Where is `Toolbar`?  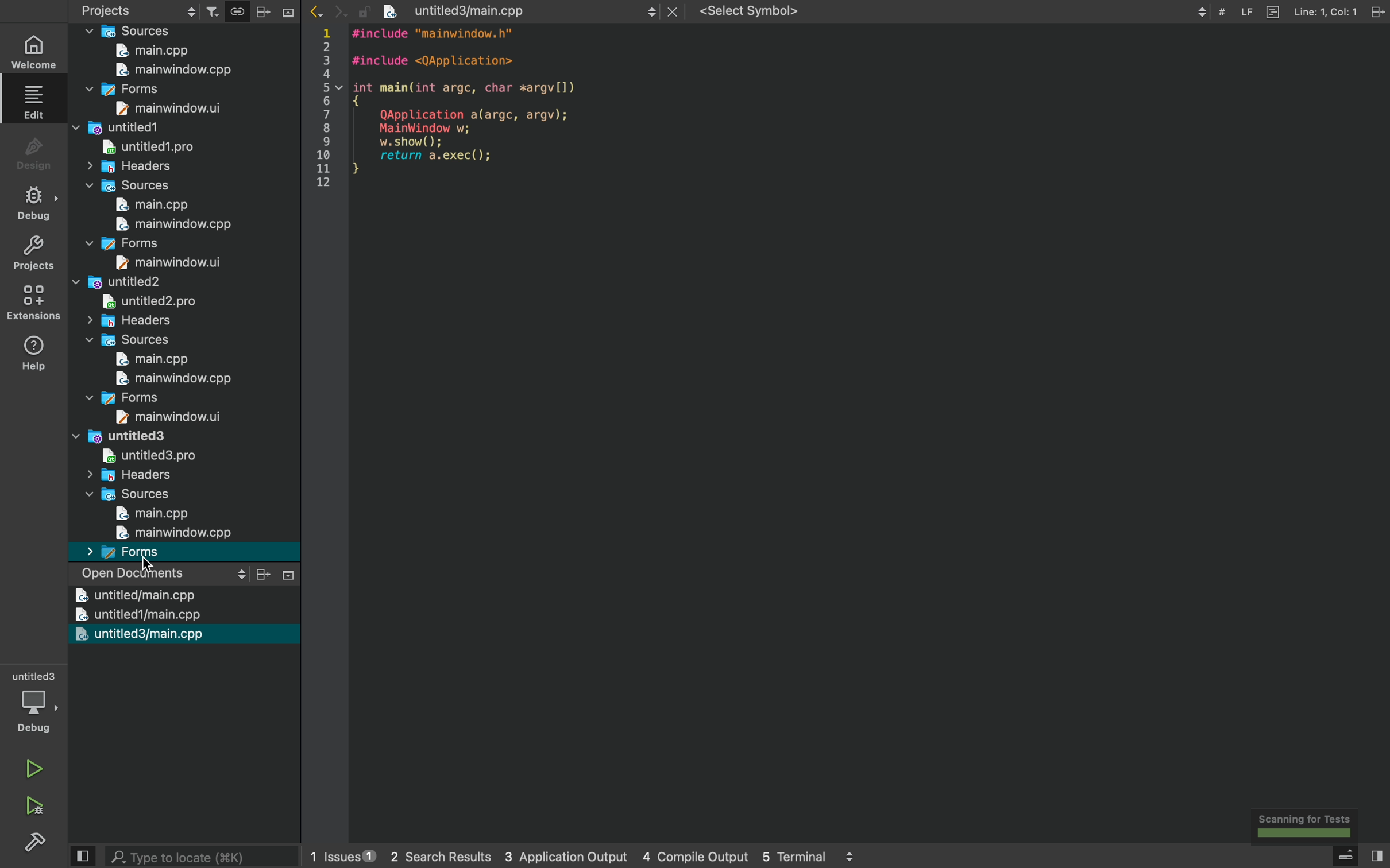 Toolbar is located at coordinates (1293, 17).